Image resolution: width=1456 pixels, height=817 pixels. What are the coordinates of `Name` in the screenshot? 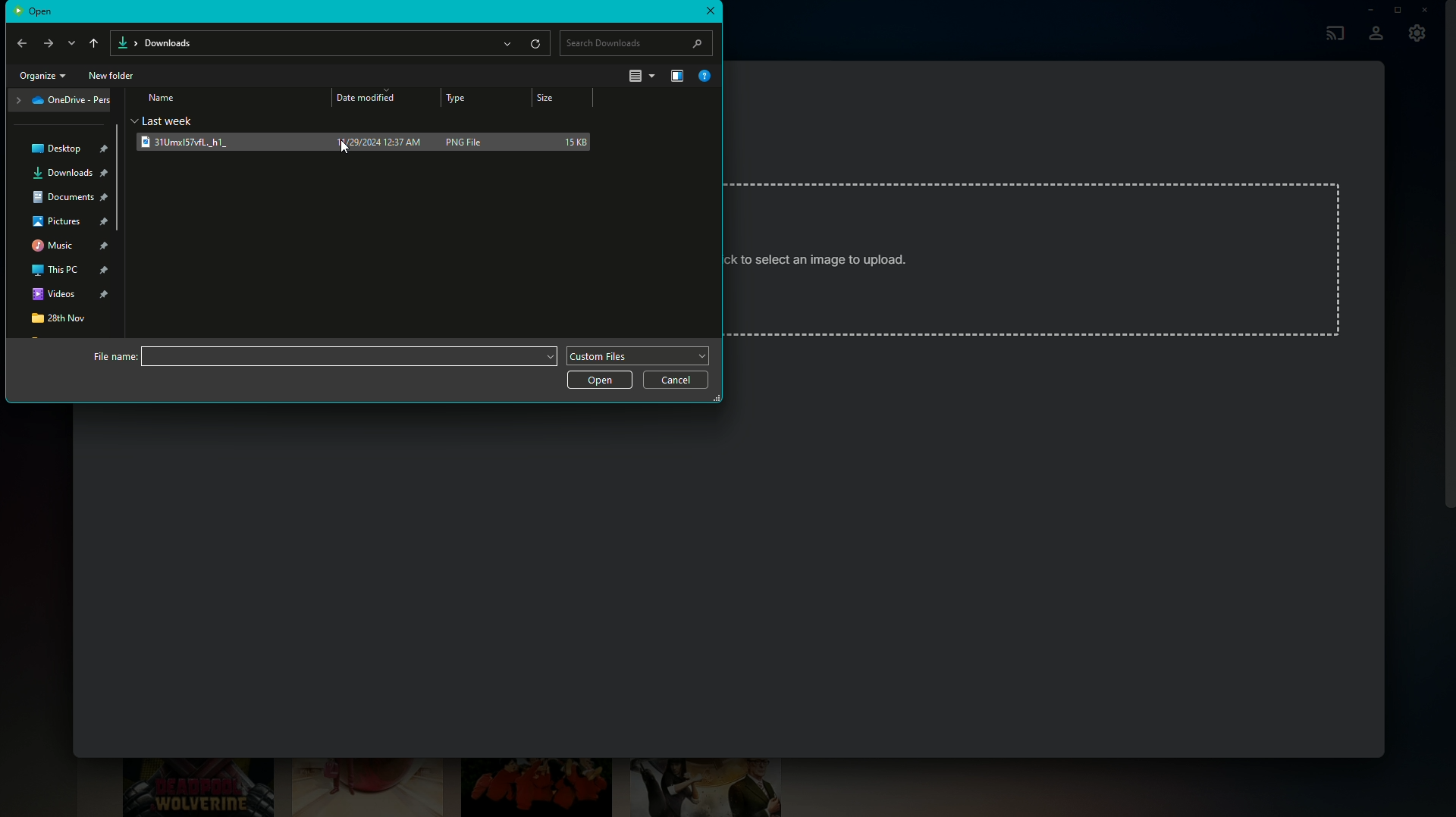 It's located at (162, 98).